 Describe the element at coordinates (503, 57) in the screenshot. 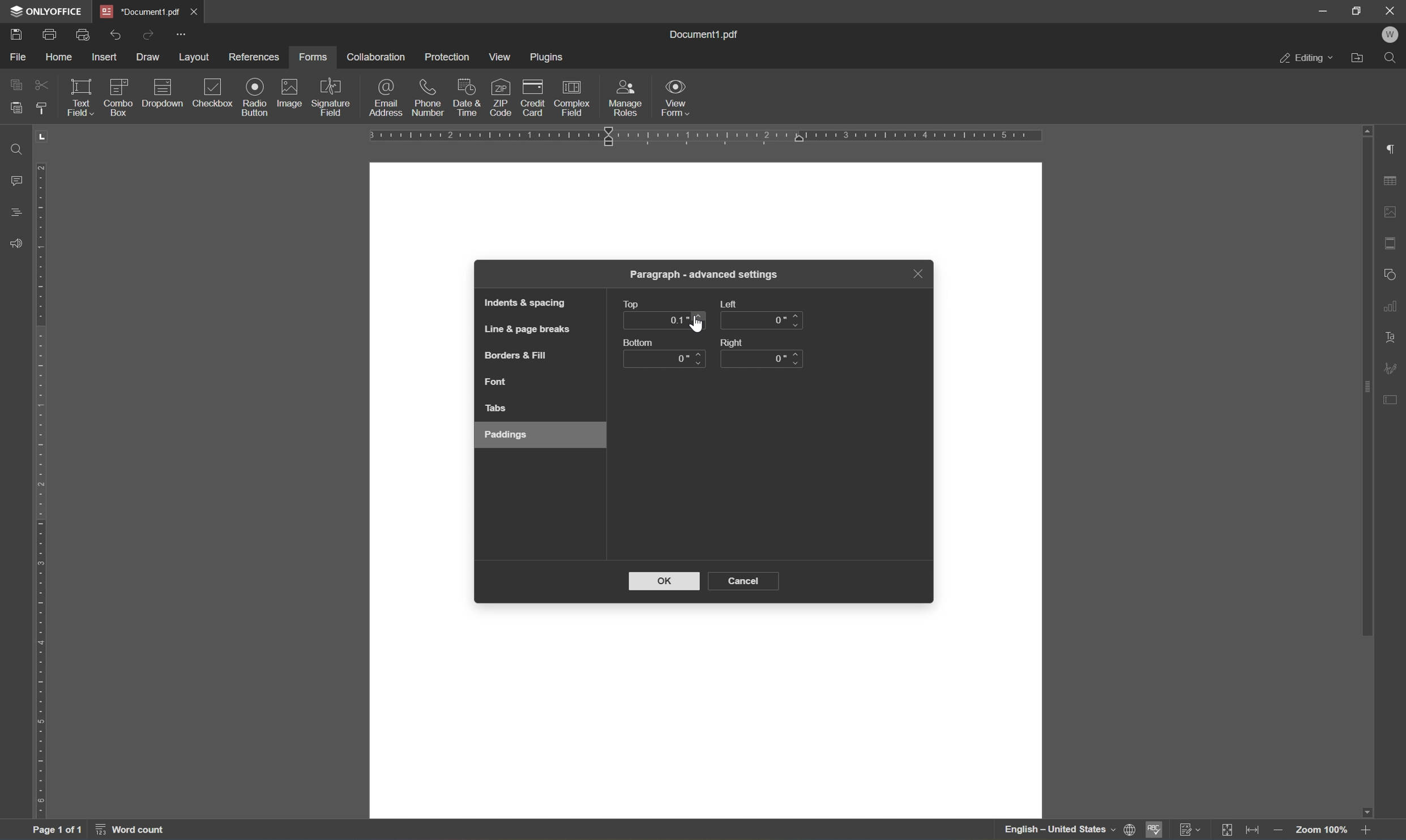

I see `view` at that location.